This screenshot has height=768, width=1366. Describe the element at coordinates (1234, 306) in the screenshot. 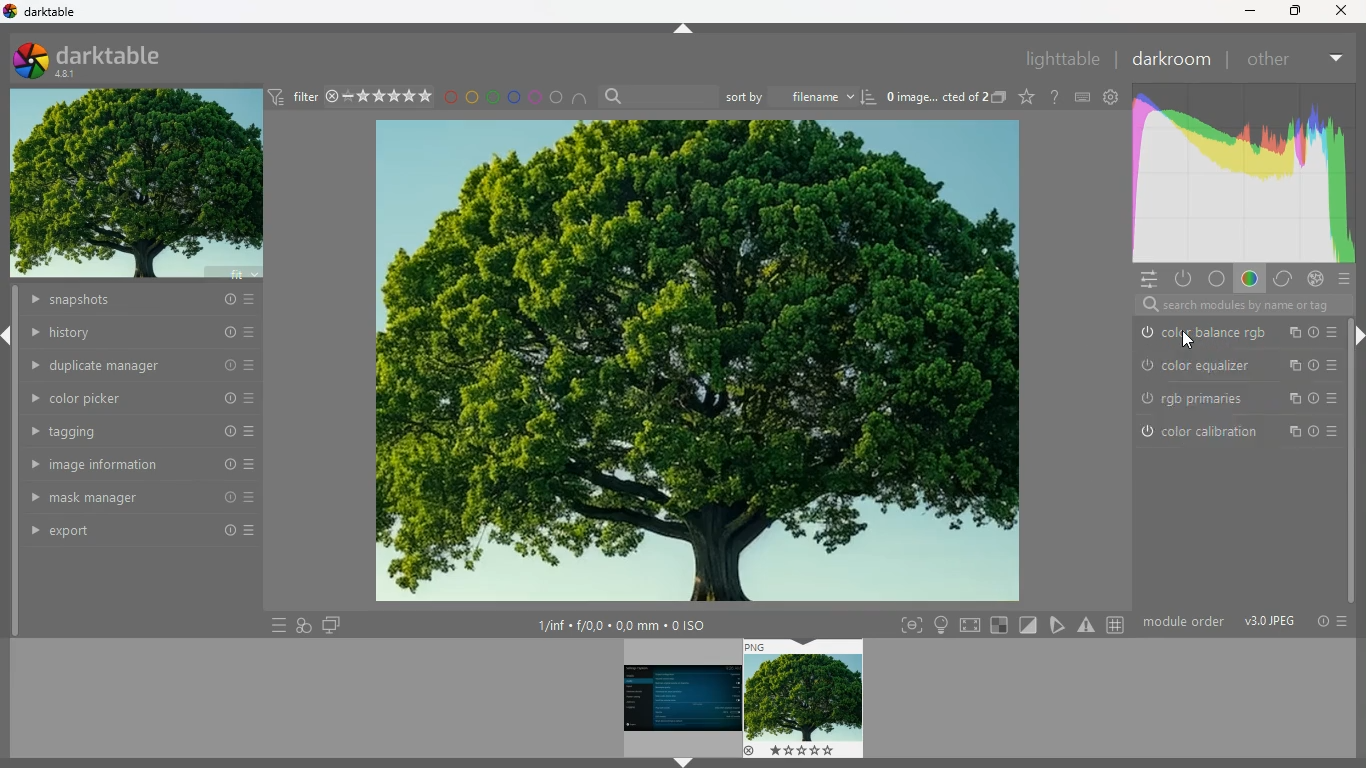

I see `search` at that location.